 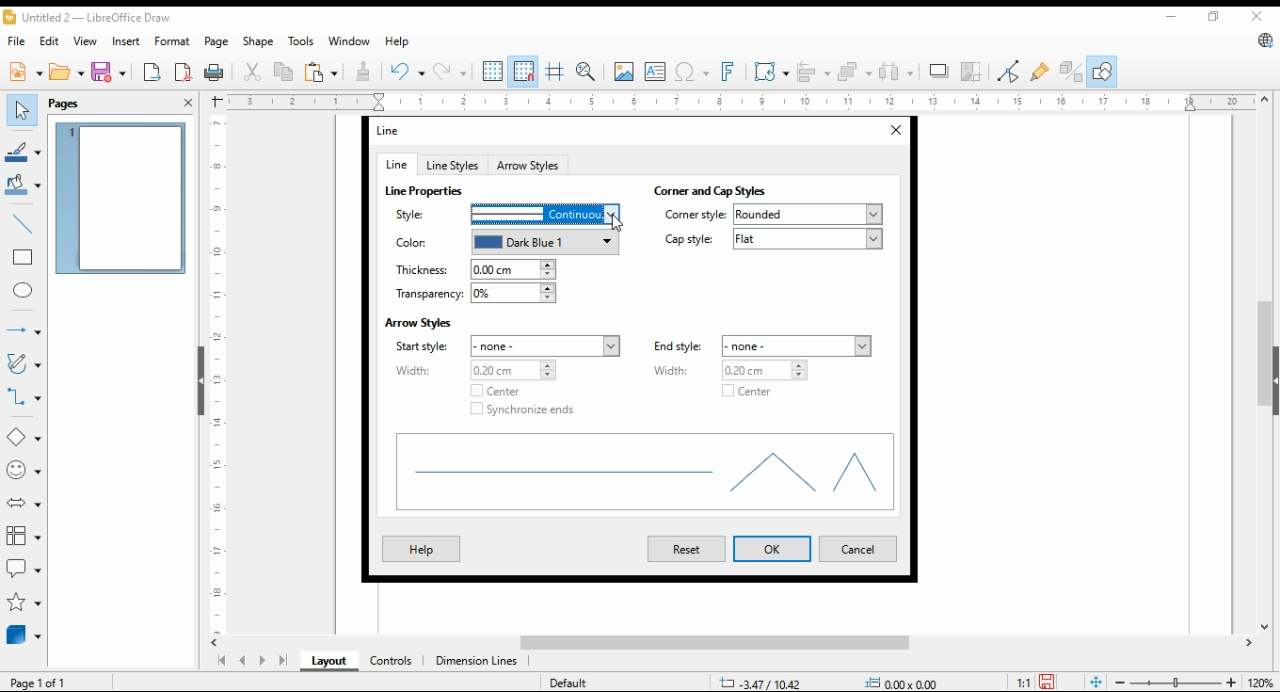 What do you see at coordinates (215, 72) in the screenshot?
I see `print` at bounding box center [215, 72].